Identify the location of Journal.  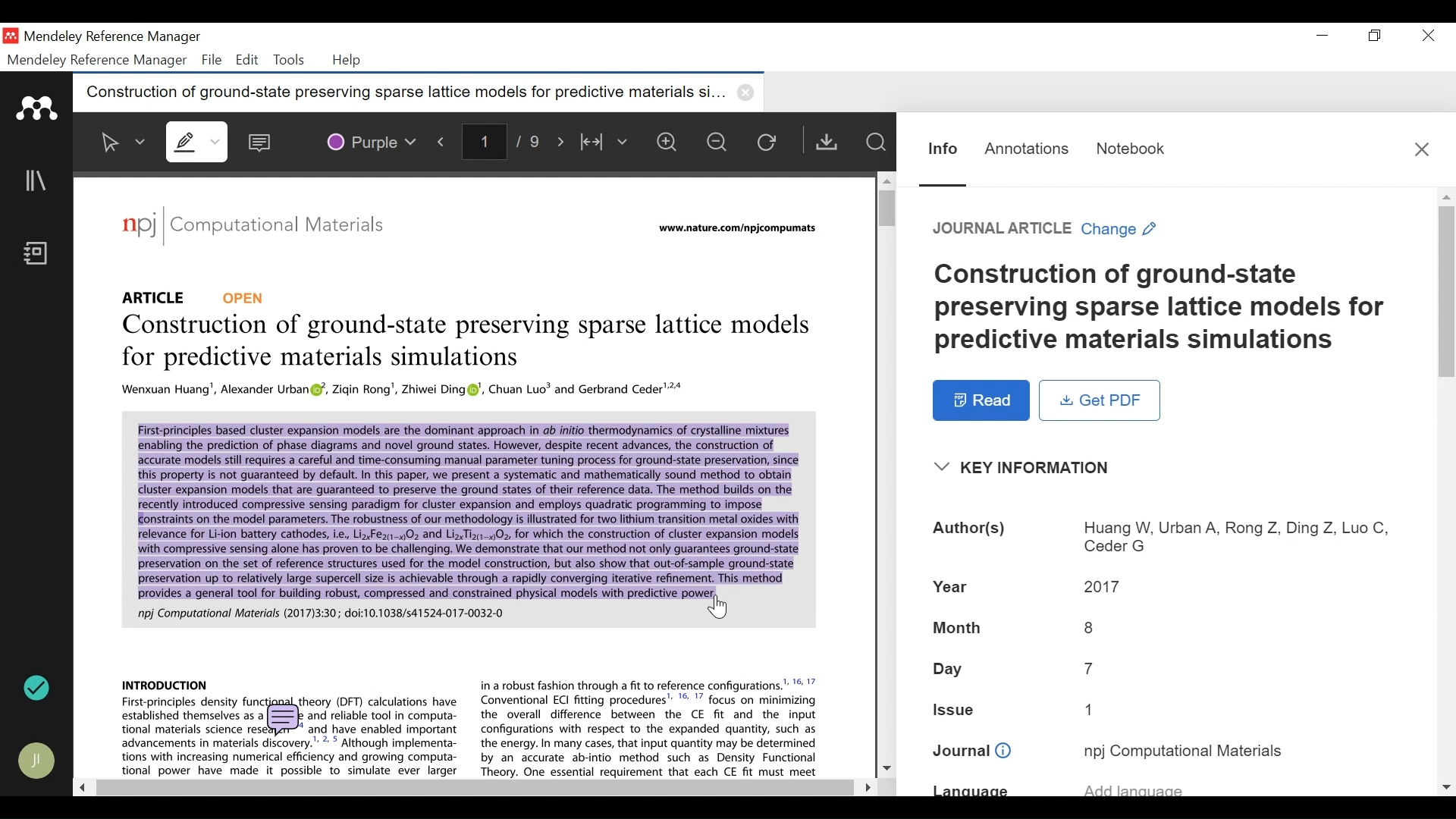
(1184, 750).